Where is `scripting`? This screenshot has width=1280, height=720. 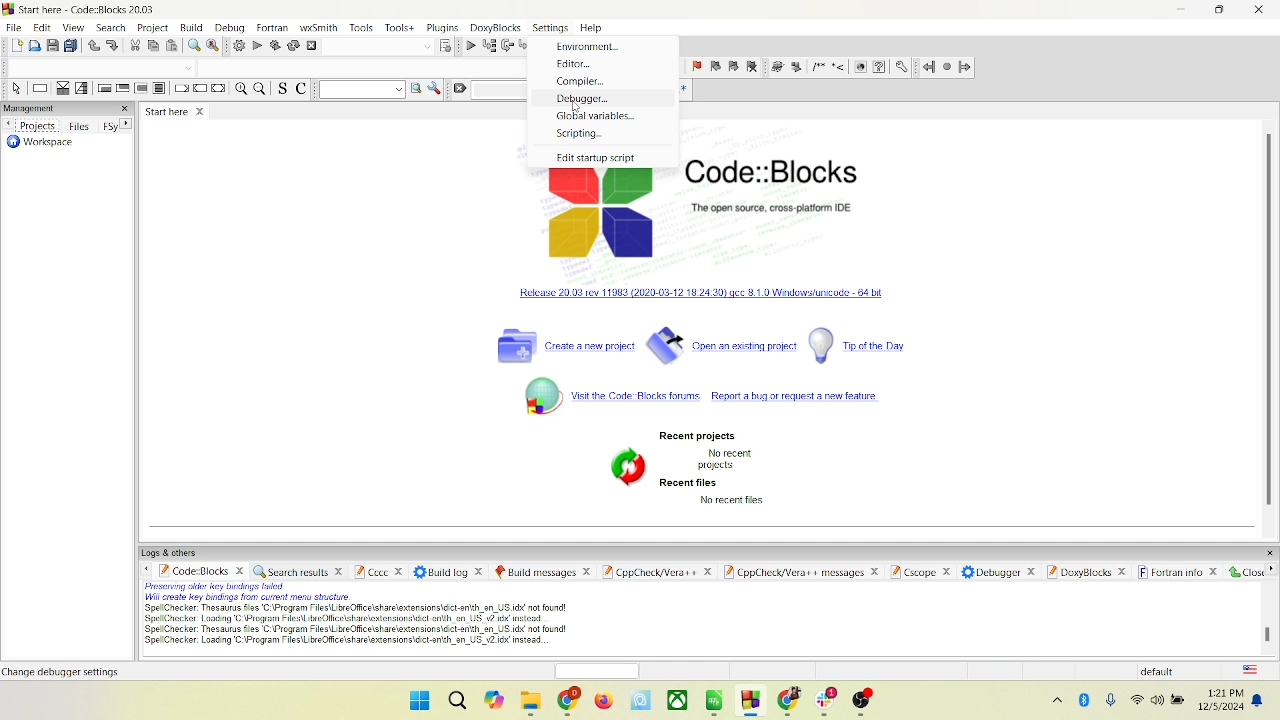 scripting is located at coordinates (581, 134).